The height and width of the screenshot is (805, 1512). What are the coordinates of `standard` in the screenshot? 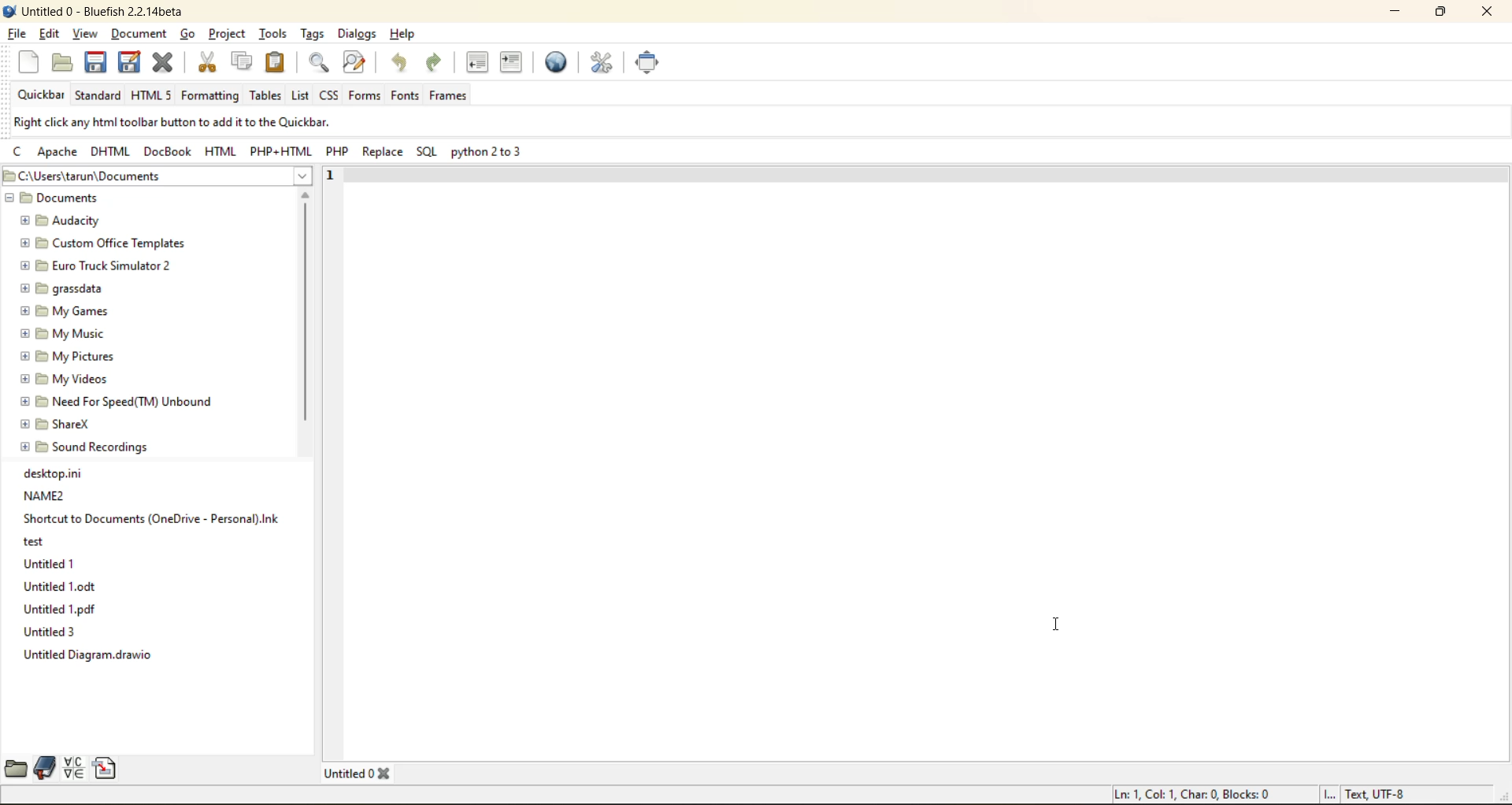 It's located at (98, 98).